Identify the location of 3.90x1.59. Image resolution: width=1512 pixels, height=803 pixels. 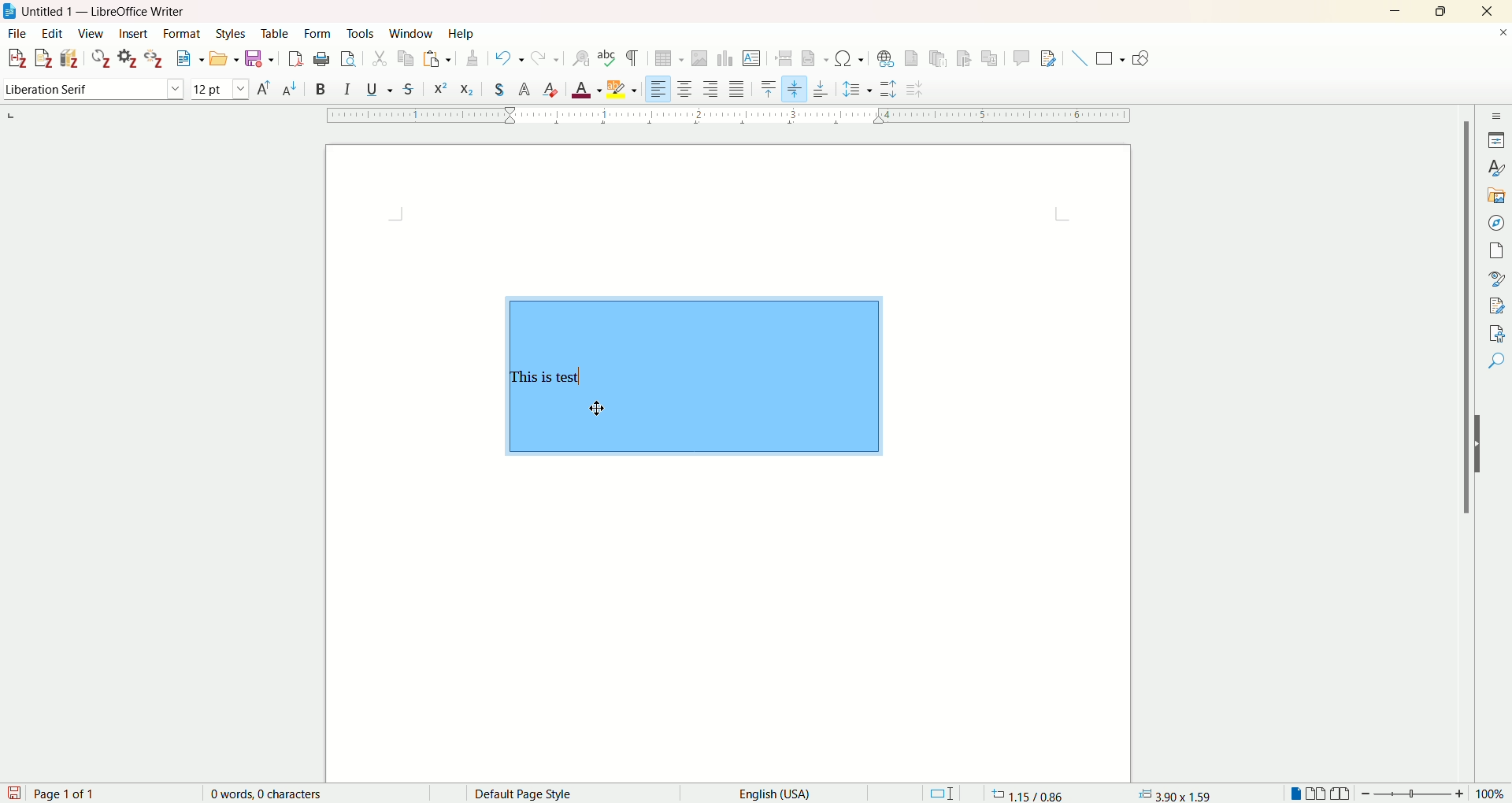
(1178, 792).